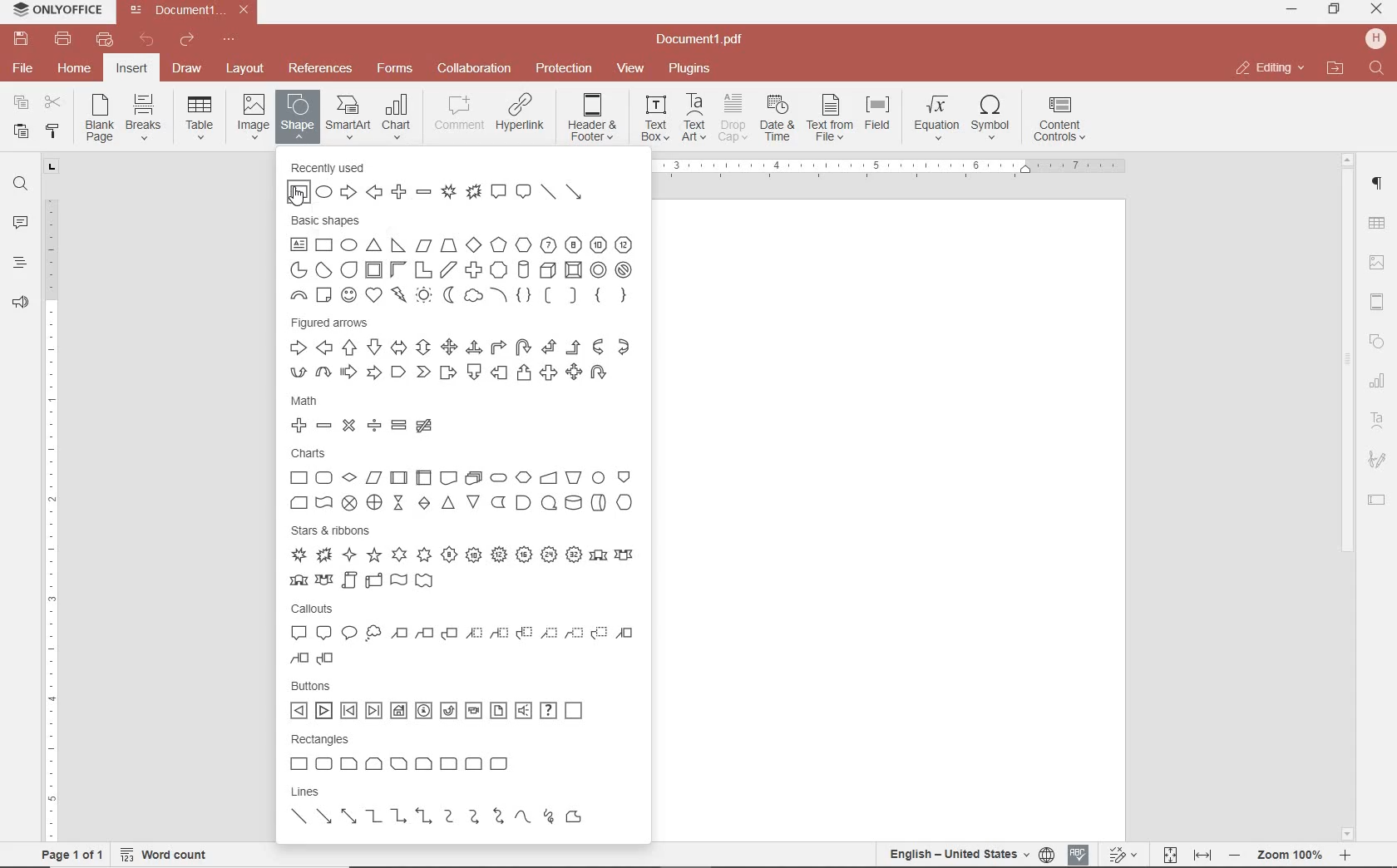  Describe the element at coordinates (935, 116) in the screenshot. I see `NSERT EQUATION` at that location.